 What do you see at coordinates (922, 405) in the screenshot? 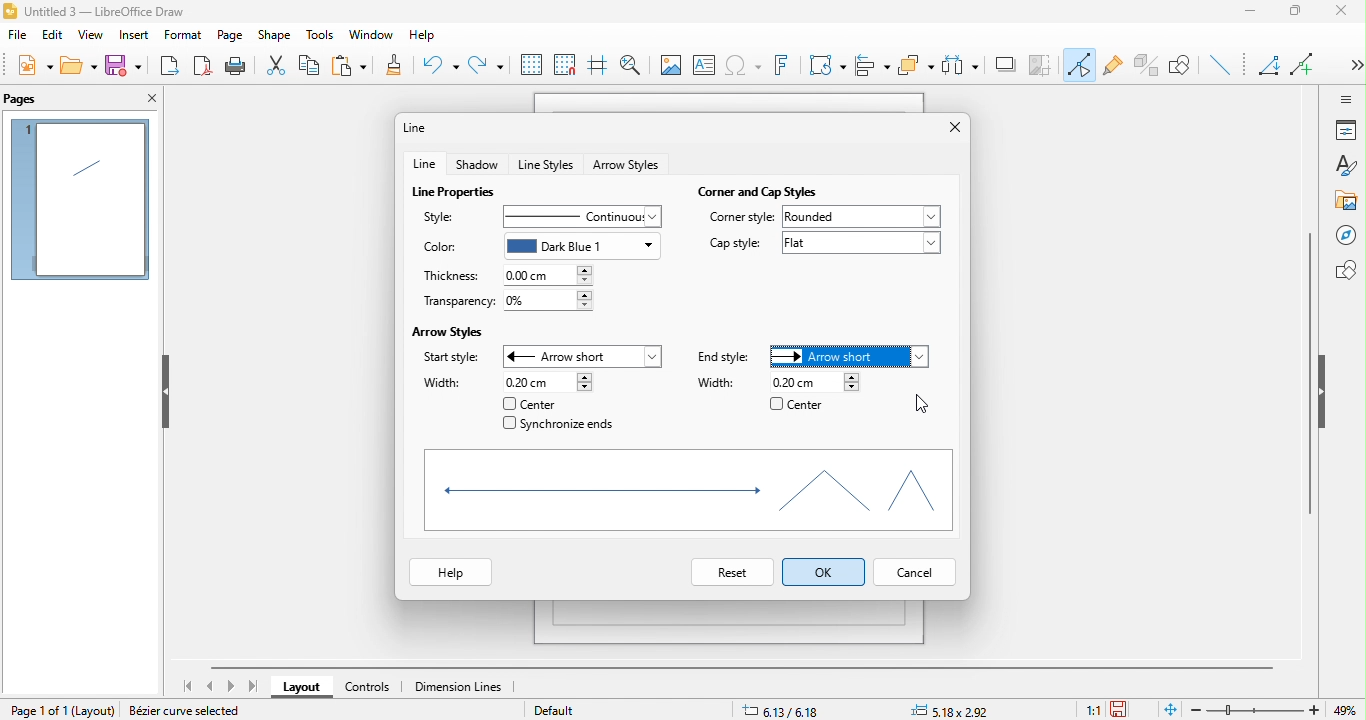
I see `cursor movement` at bounding box center [922, 405].